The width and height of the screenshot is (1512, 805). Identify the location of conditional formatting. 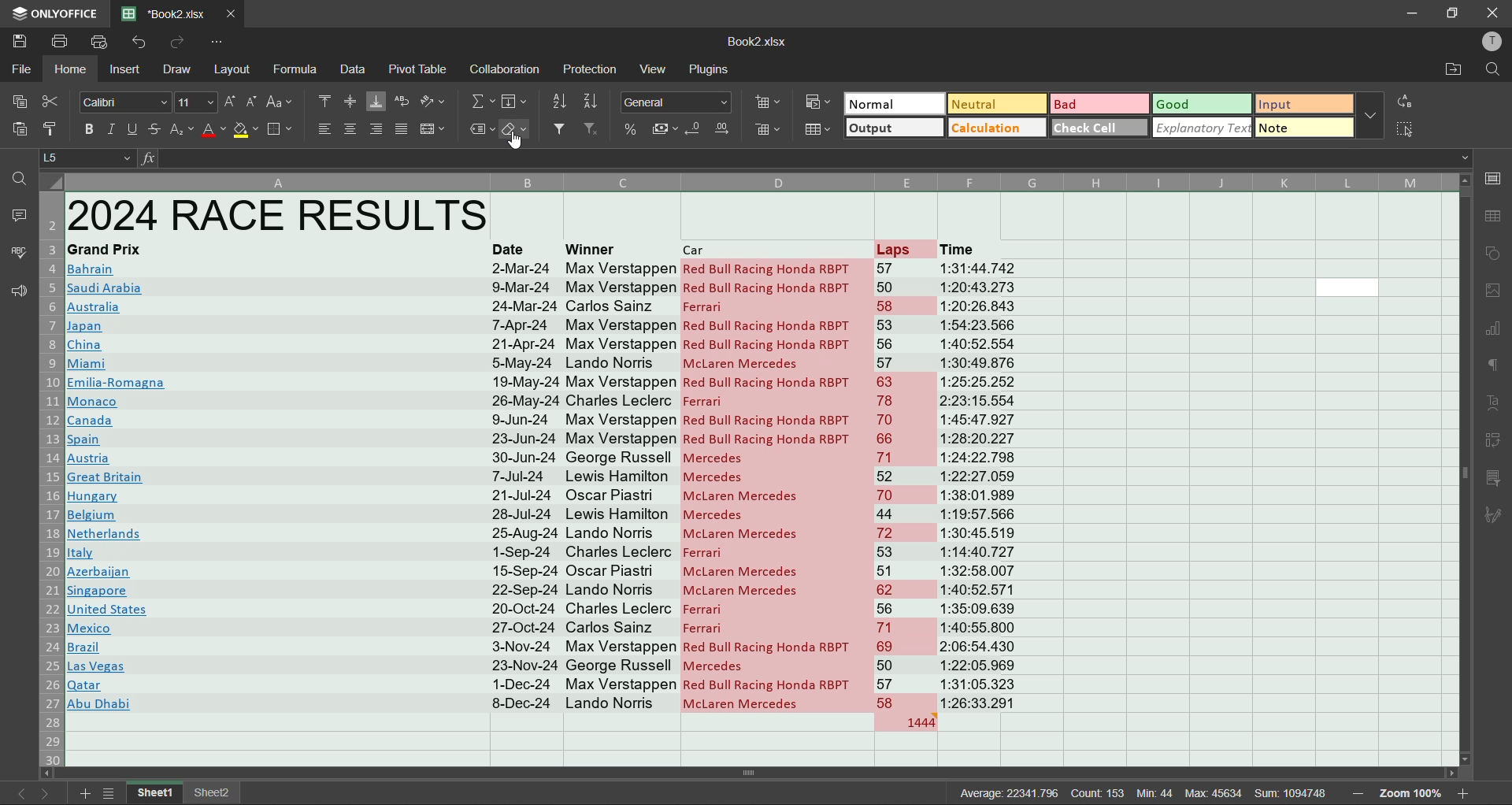
(816, 101).